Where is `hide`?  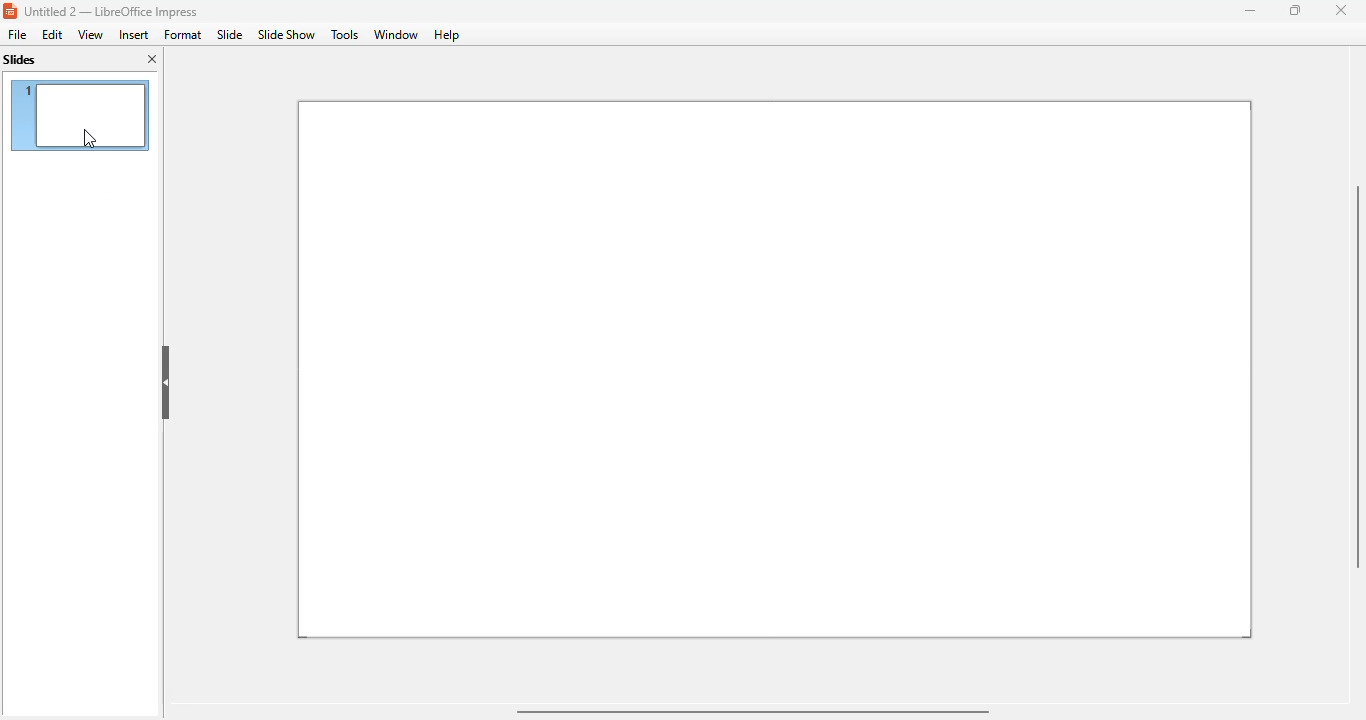 hide is located at coordinates (165, 382).